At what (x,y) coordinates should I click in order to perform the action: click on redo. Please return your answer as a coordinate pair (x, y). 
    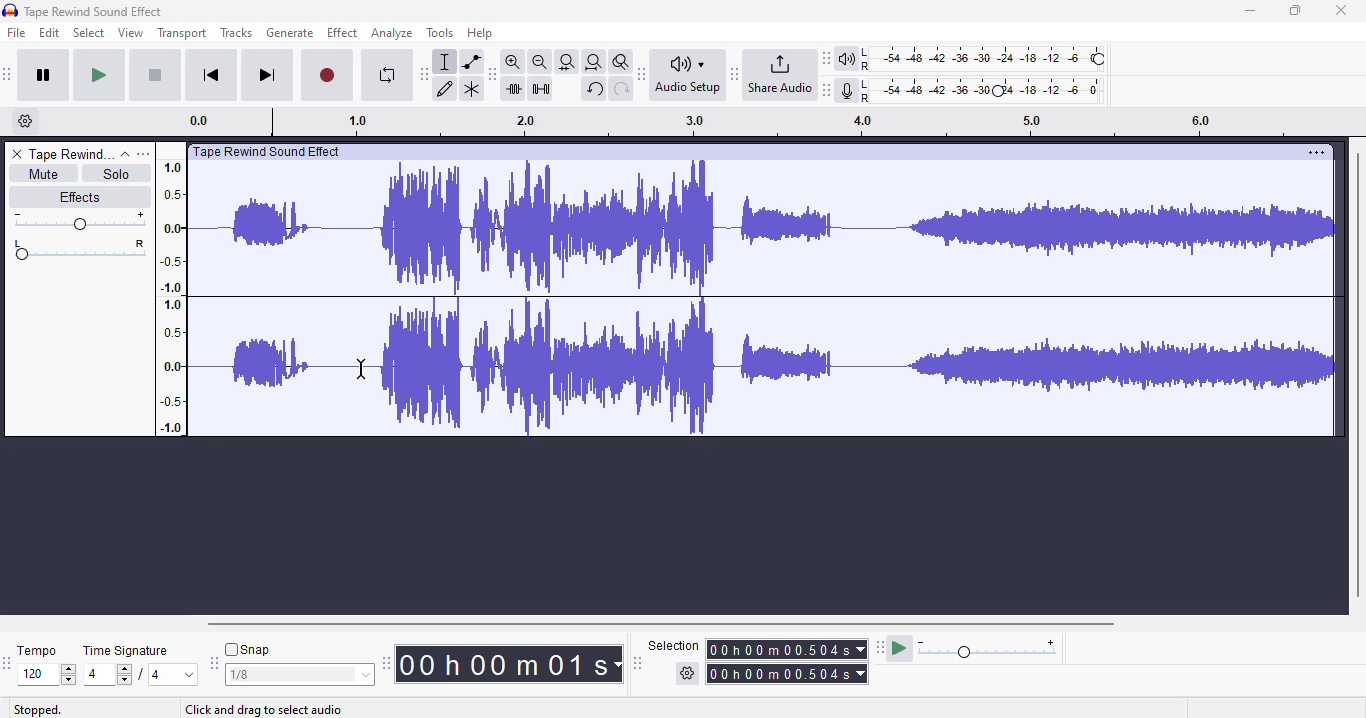
    Looking at the image, I should click on (622, 90).